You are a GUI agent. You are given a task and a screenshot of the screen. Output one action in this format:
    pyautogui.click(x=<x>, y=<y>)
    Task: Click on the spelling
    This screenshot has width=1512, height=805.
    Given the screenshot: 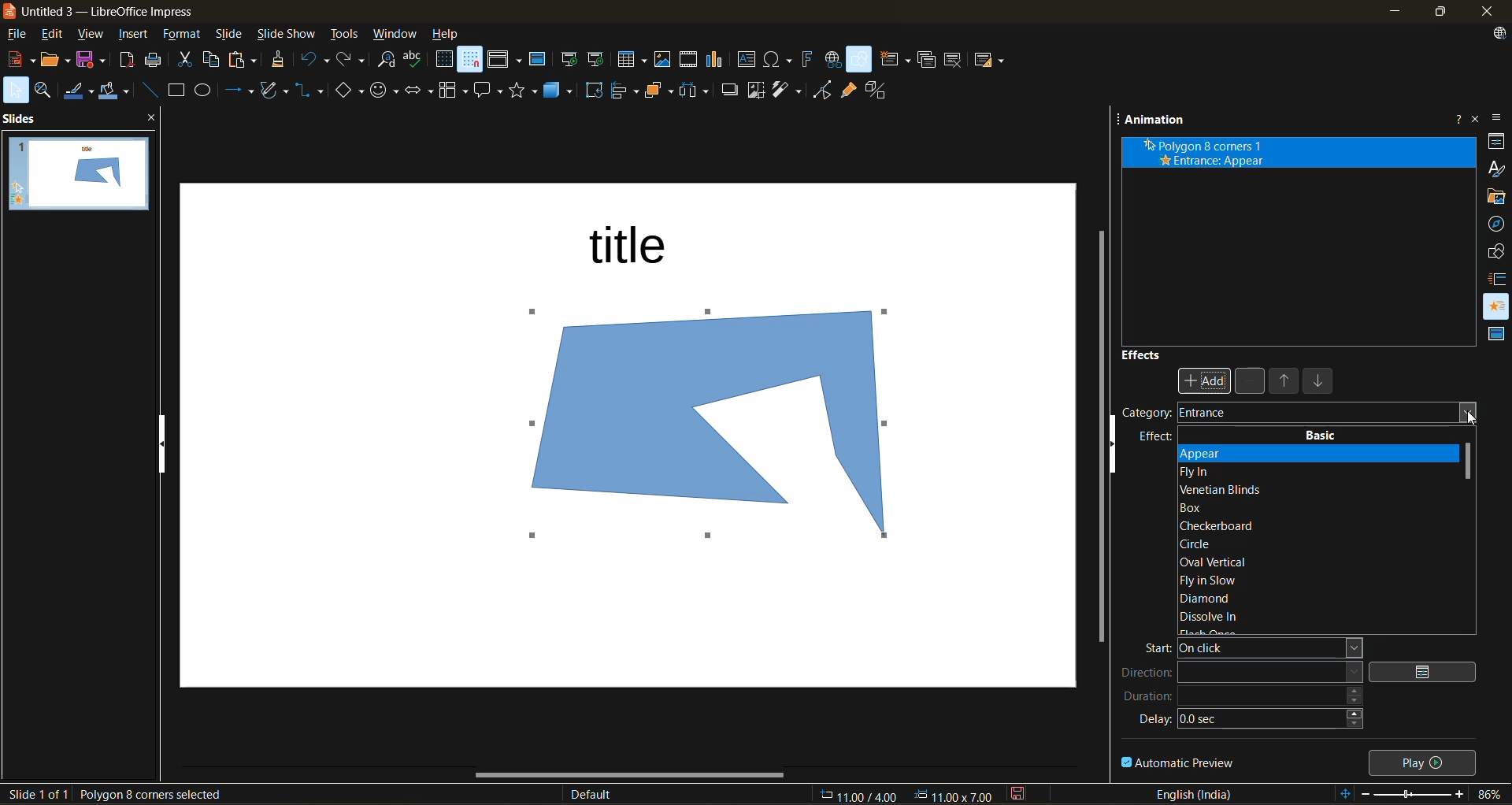 What is the action you would take?
    pyautogui.click(x=415, y=59)
    